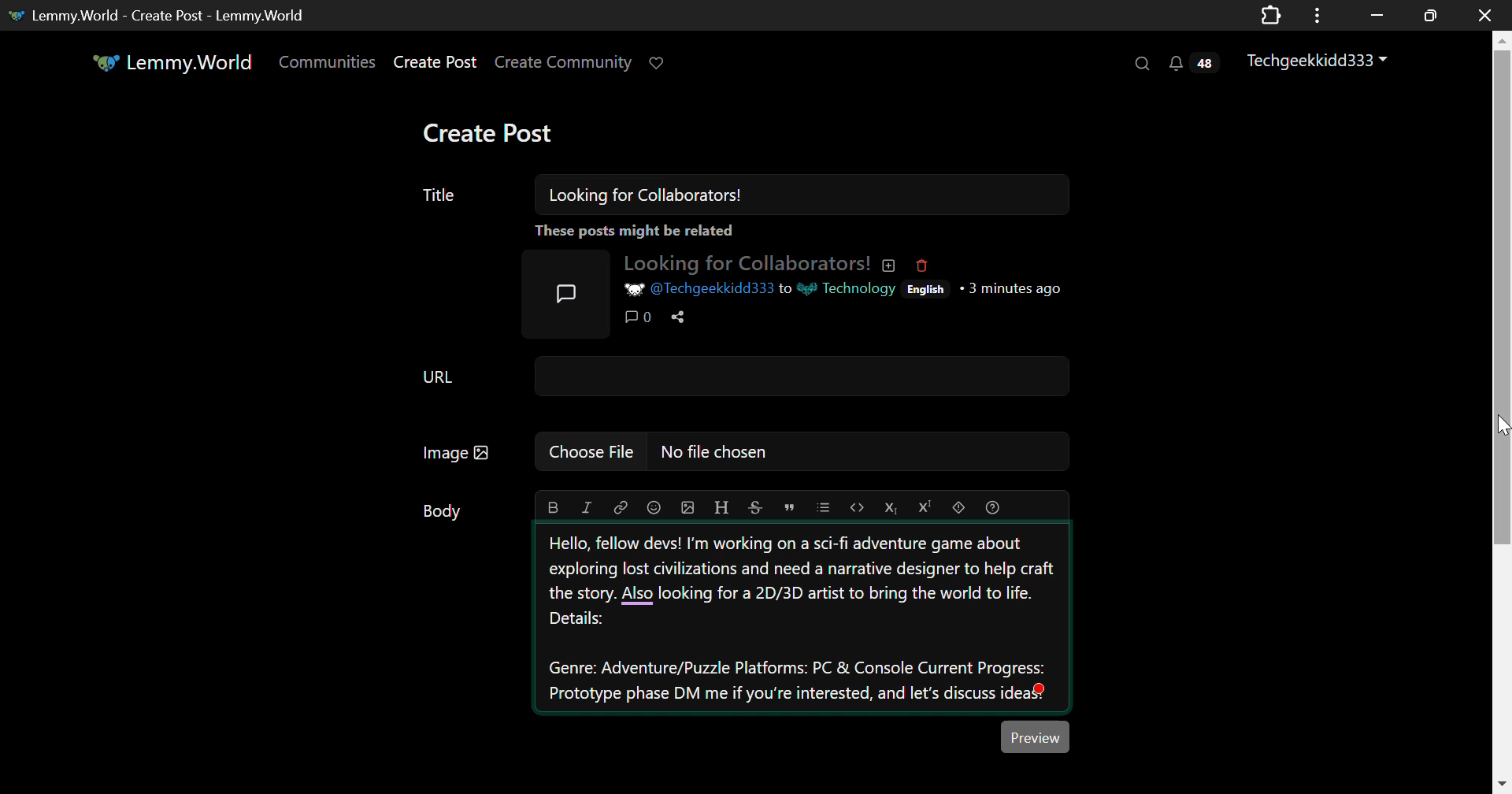 The width and height of the screenshot is (1512, 794). What do you see at coordinates (658, 64) in the screenshot?
I see `Donate to Lemmy` at bounding box center [658, 64].